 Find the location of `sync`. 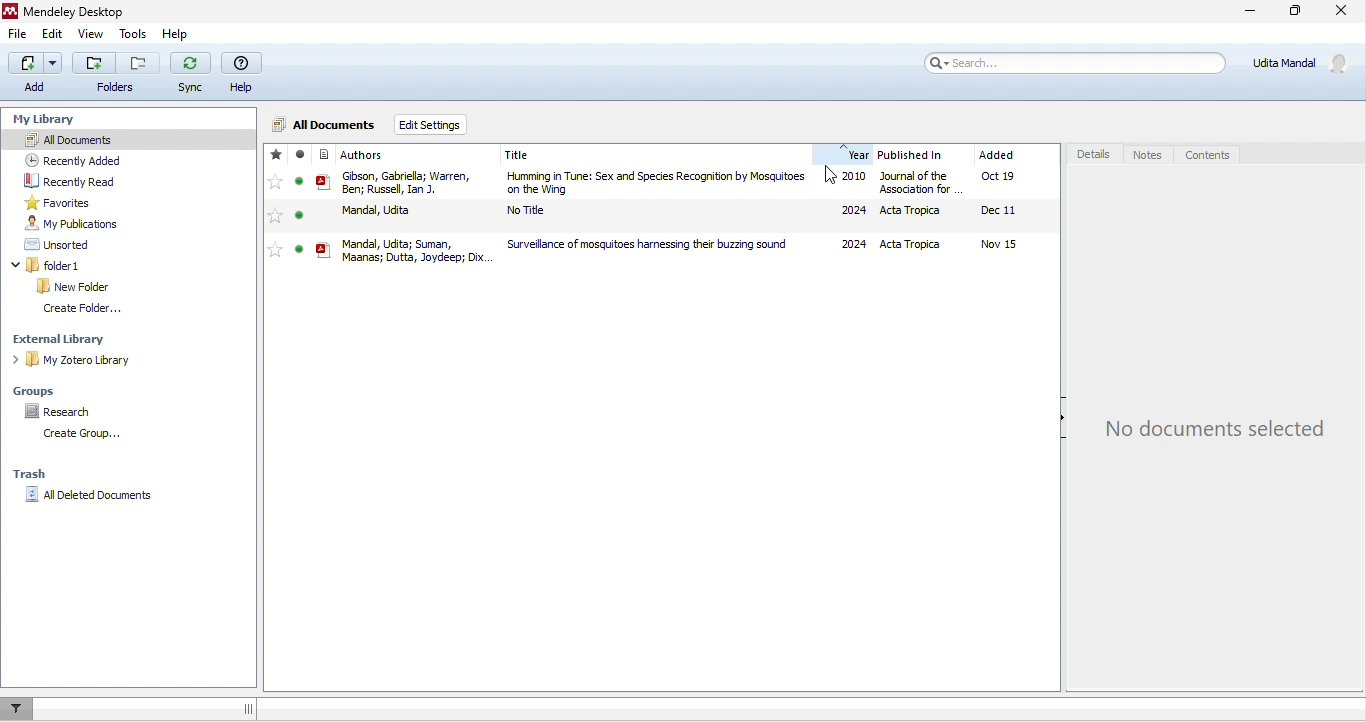

sync is located at coordinates (190, 74).